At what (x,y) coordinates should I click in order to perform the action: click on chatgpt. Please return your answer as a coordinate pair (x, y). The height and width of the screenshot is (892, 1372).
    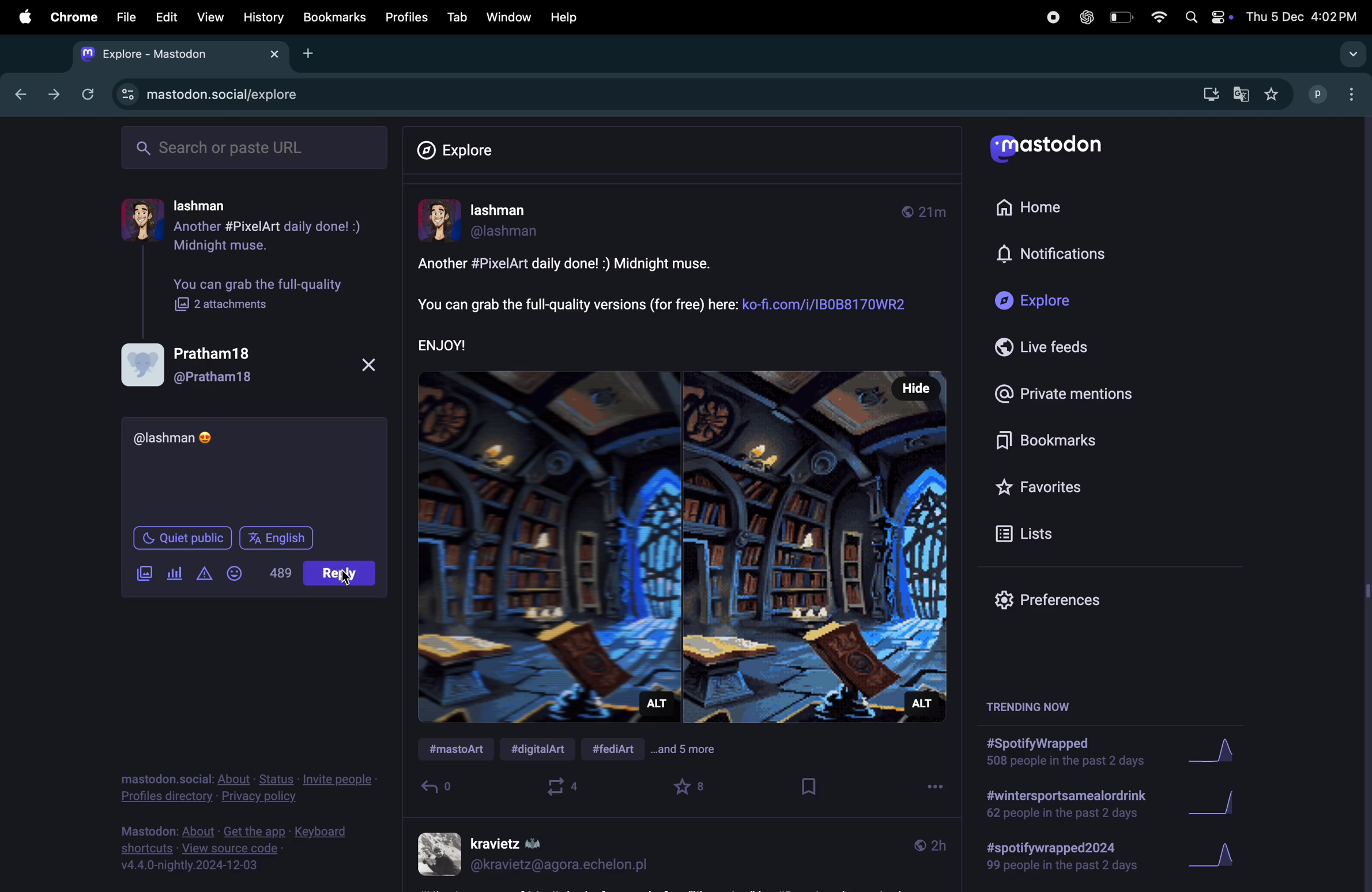
    Looking at the image, I should click on (1085, 18).